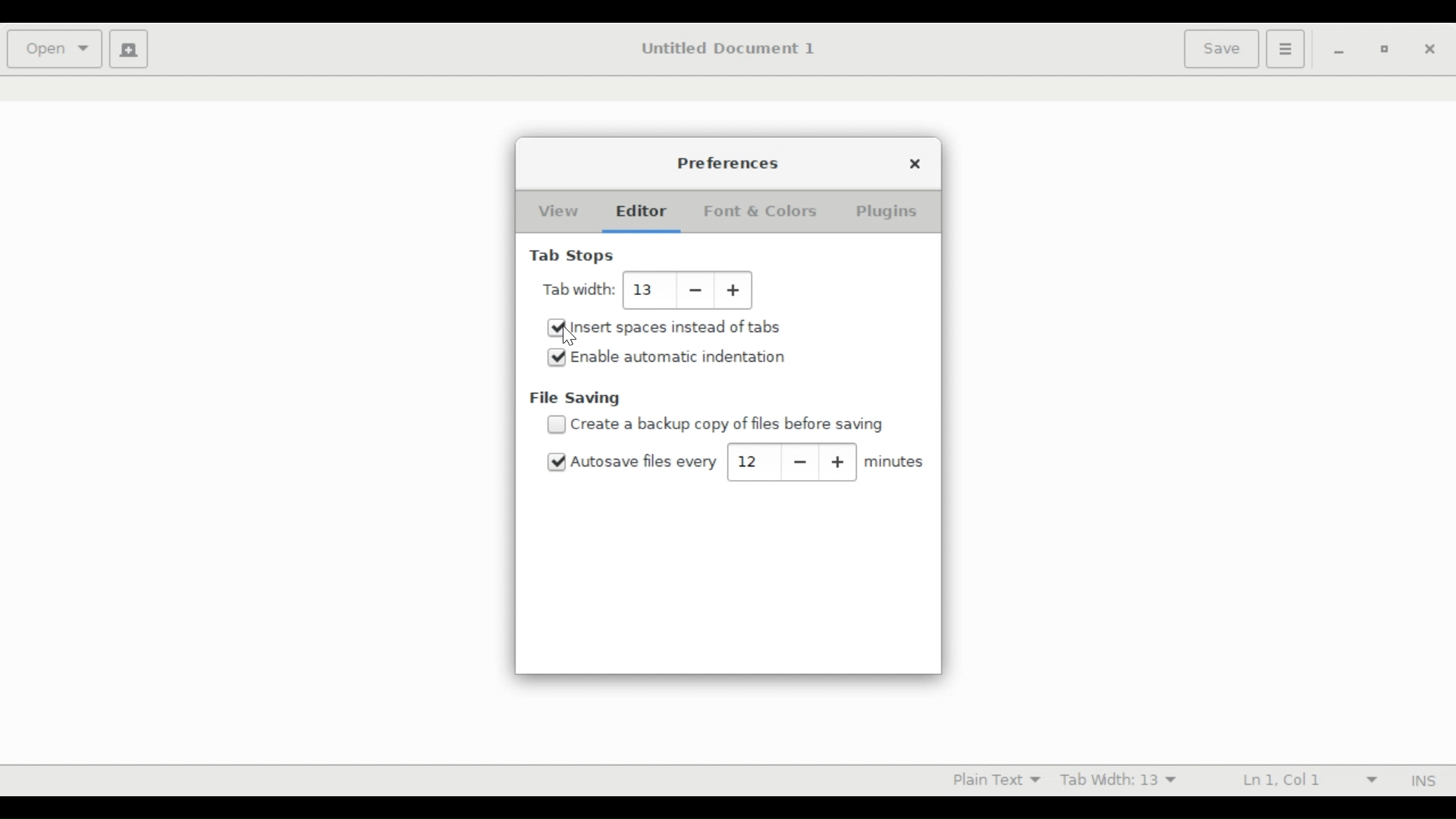  What do you see at coordinates (576, 399) in the screenshot?
I see `File Saving` at bounding box center [576, 399].